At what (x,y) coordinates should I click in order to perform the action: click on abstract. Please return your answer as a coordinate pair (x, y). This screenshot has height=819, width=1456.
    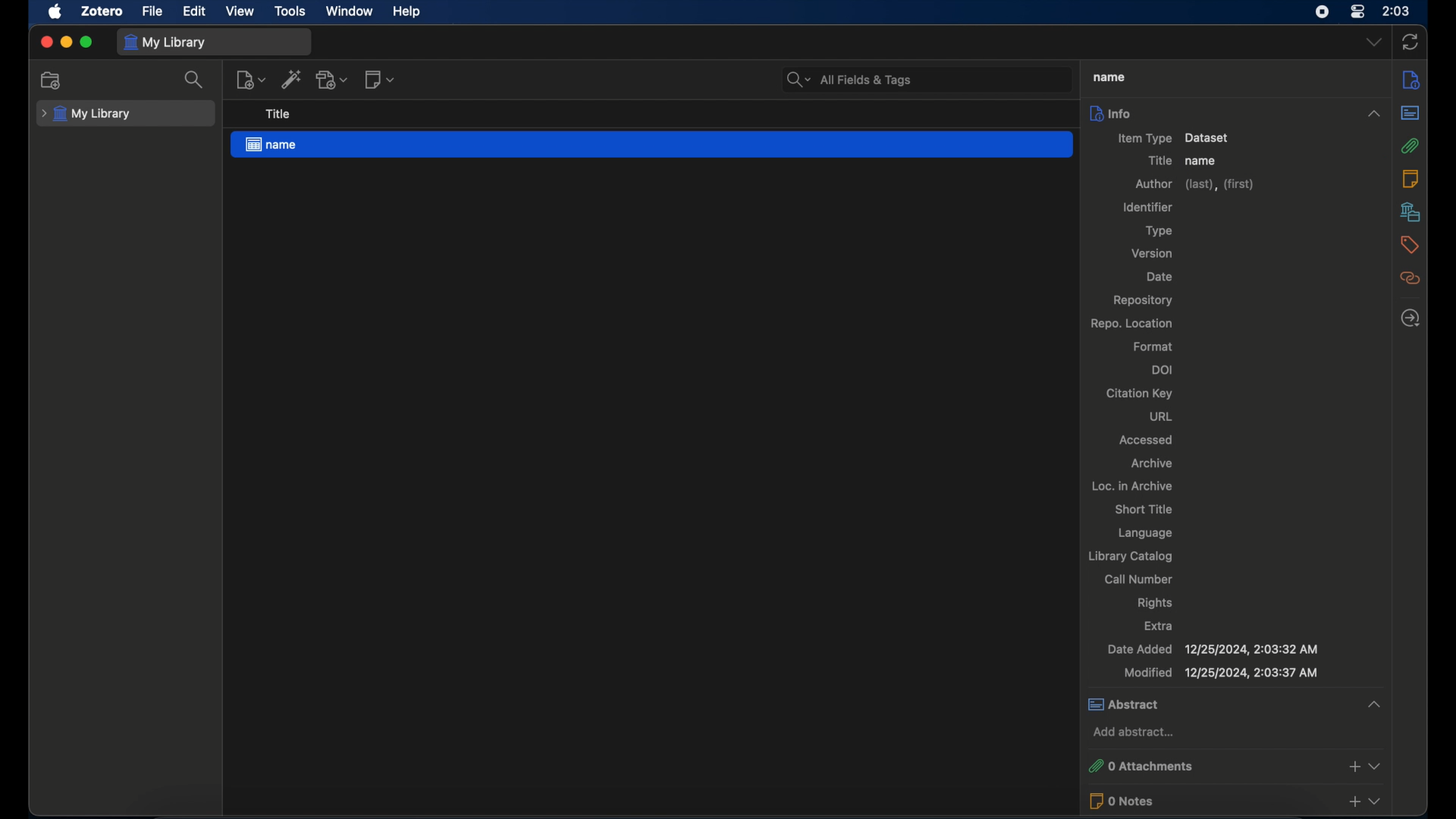
    Looking at the image, I should click on (1234, 703).